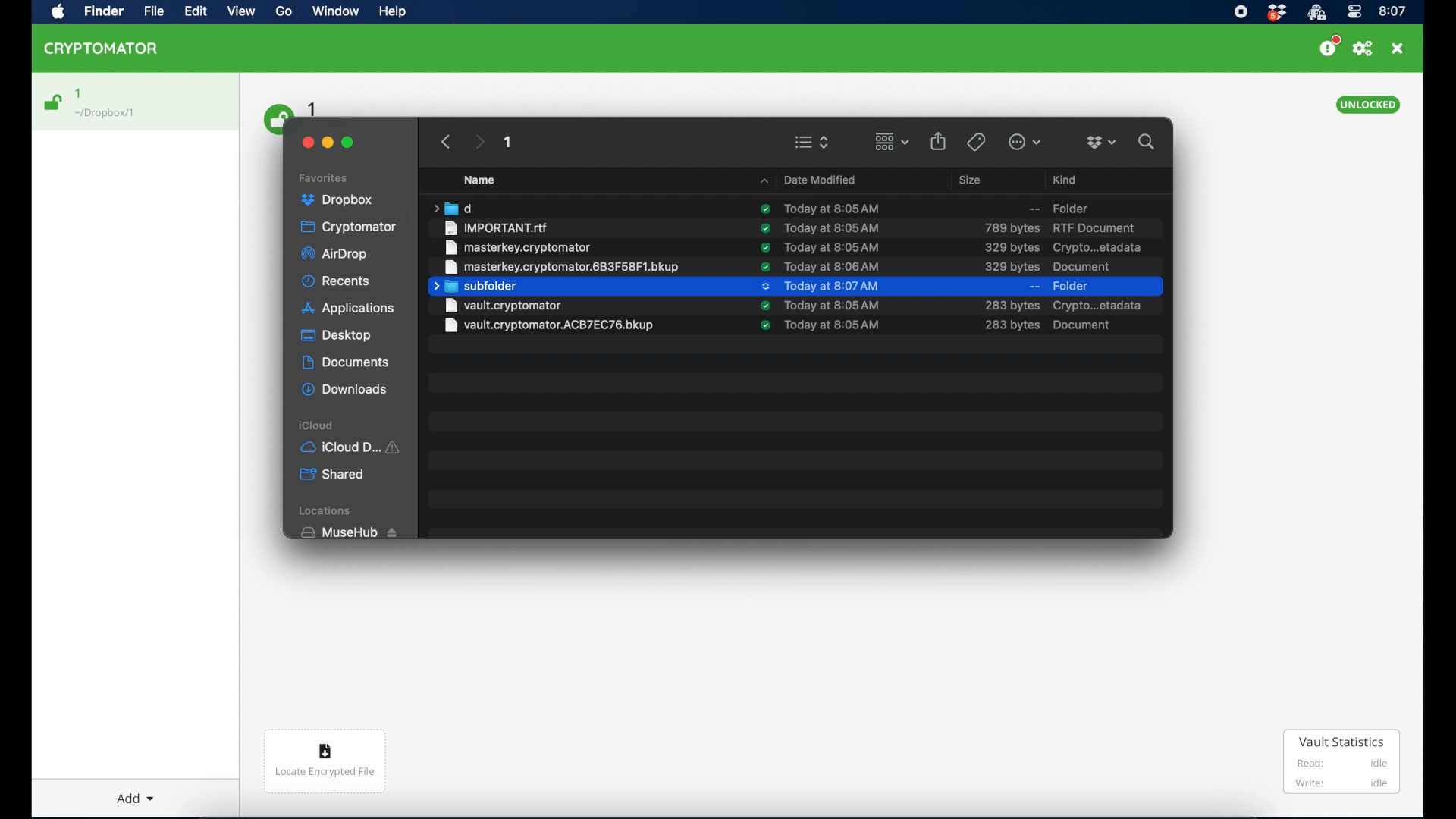 The height and width of the screenshot is (819, 1456). Describe the element at coordinates (550, 306) in the screenshot. I see `file name` at that location.